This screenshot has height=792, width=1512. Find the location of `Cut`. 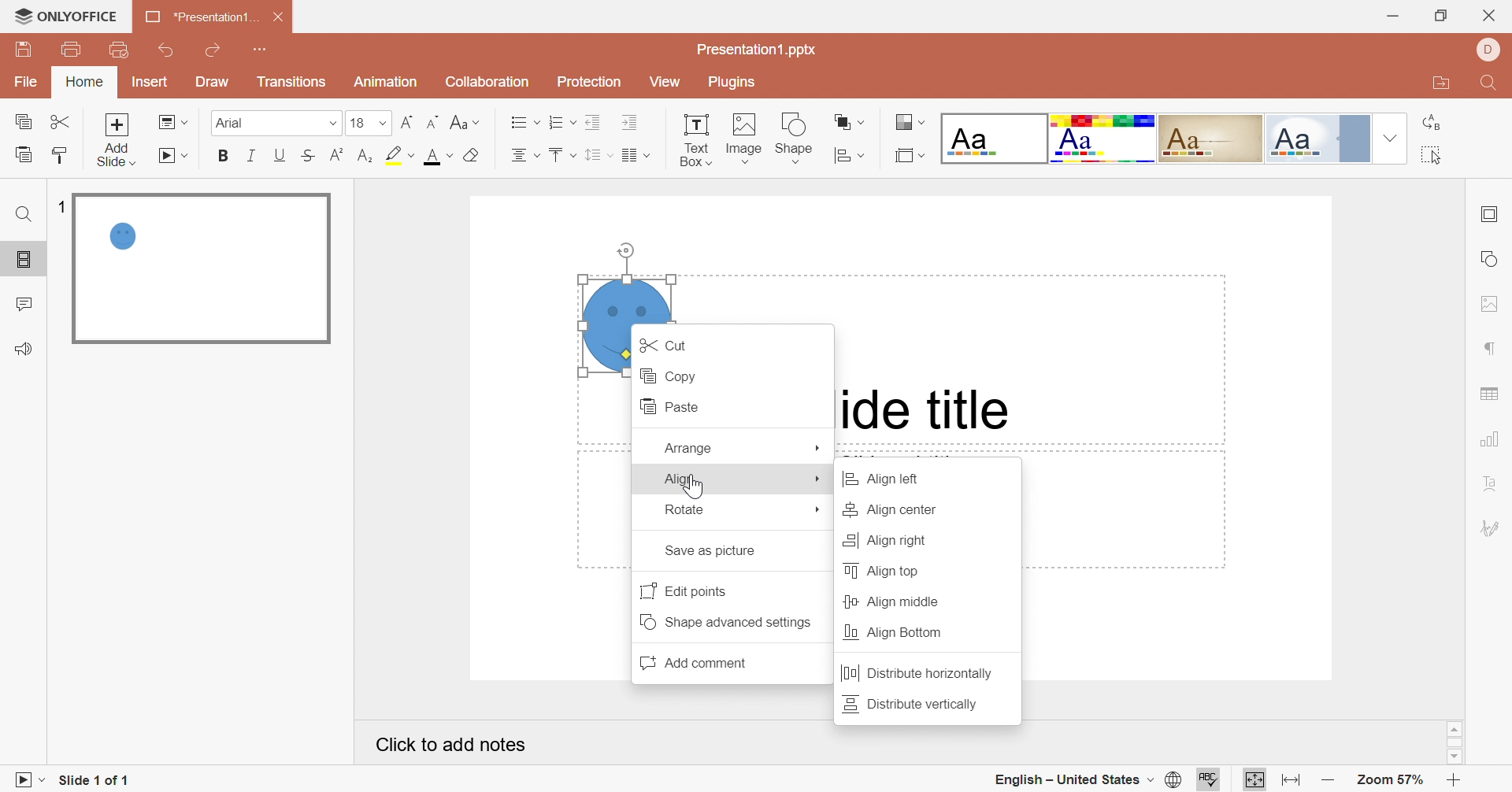

Cut is located at coordinates (670, 345).